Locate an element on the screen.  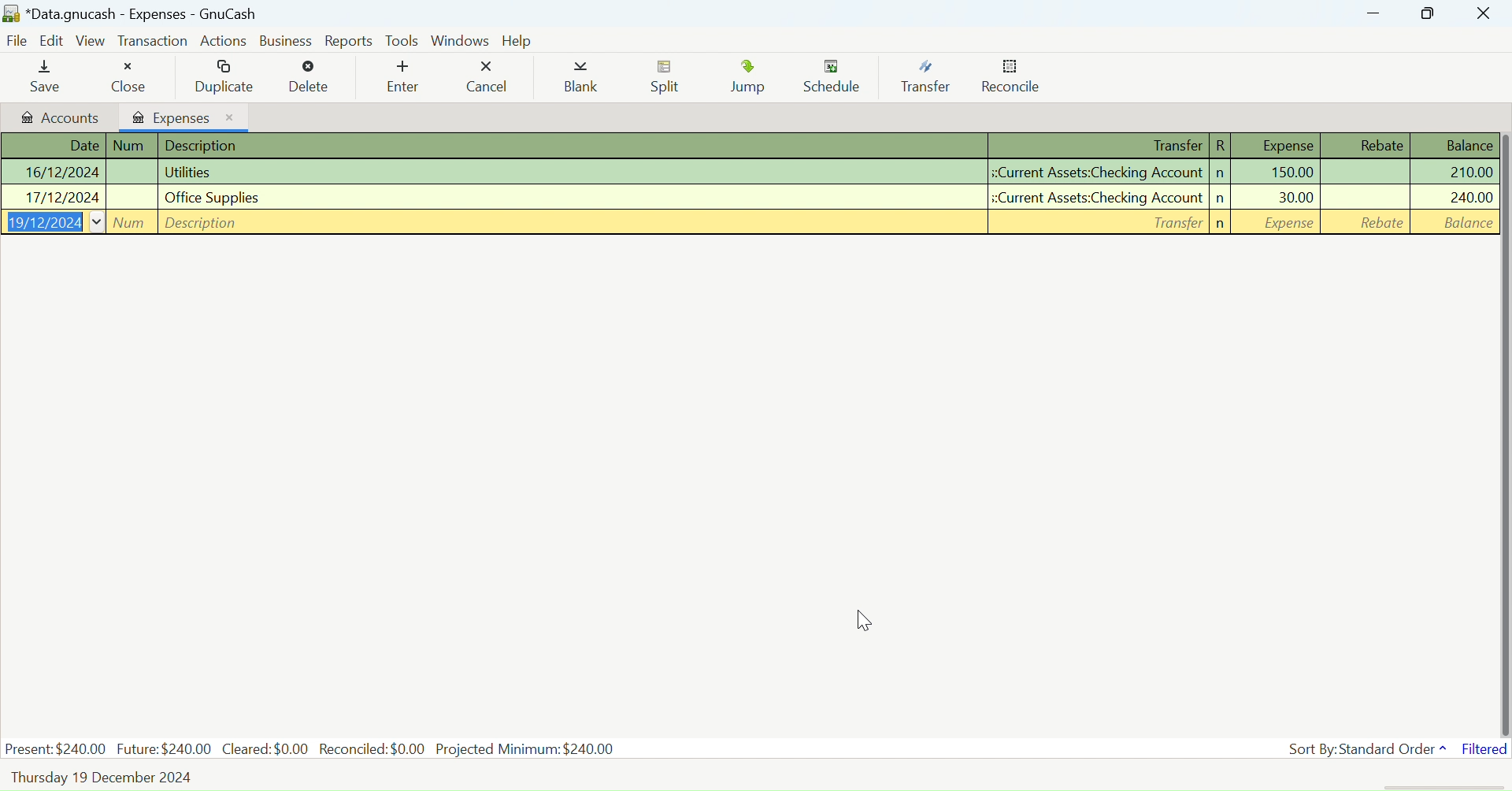
Restore Down is located at coordinates (1373, 13).